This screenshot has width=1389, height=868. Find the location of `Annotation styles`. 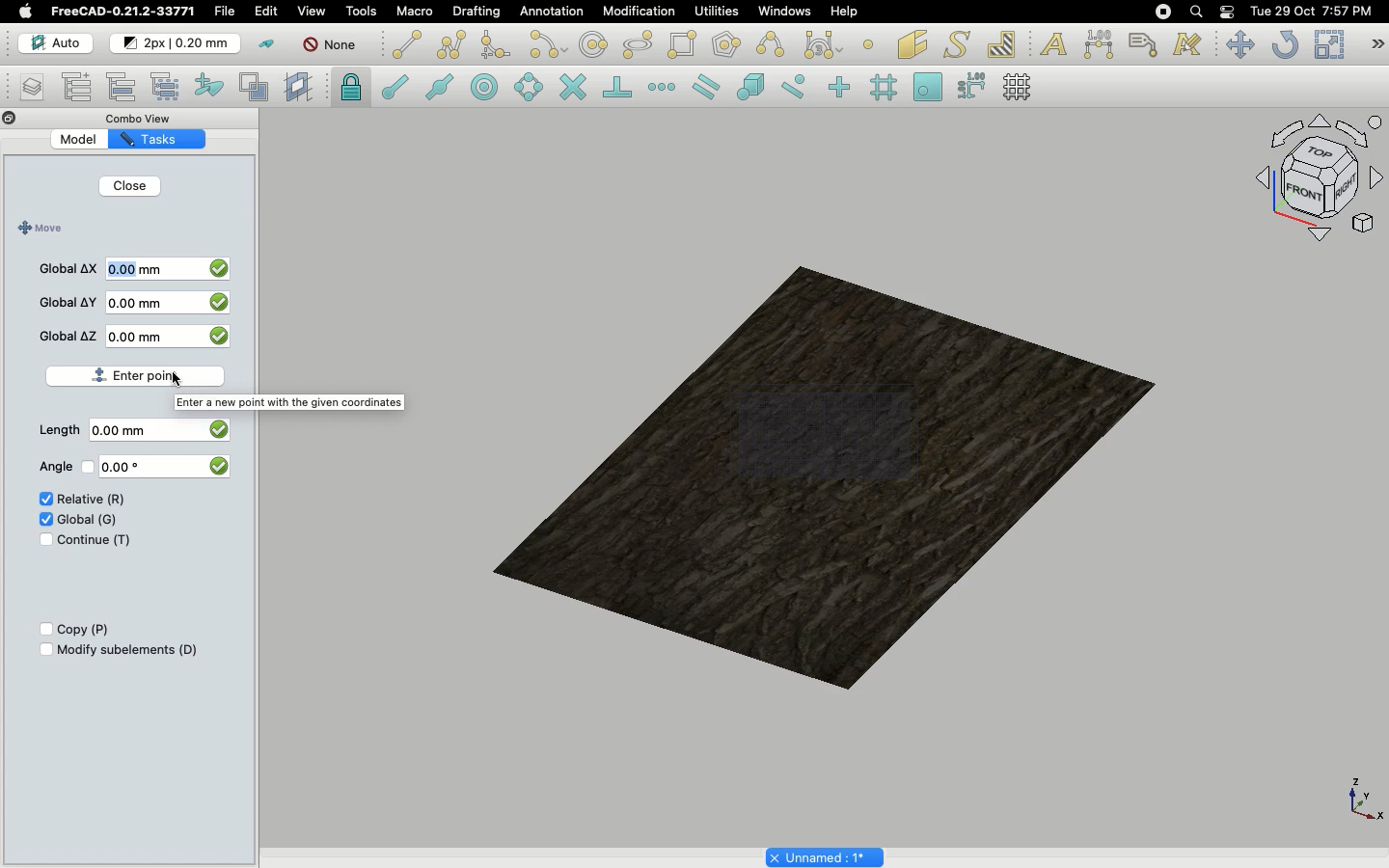

Annotation styles is located at coordinates (1188, 44).